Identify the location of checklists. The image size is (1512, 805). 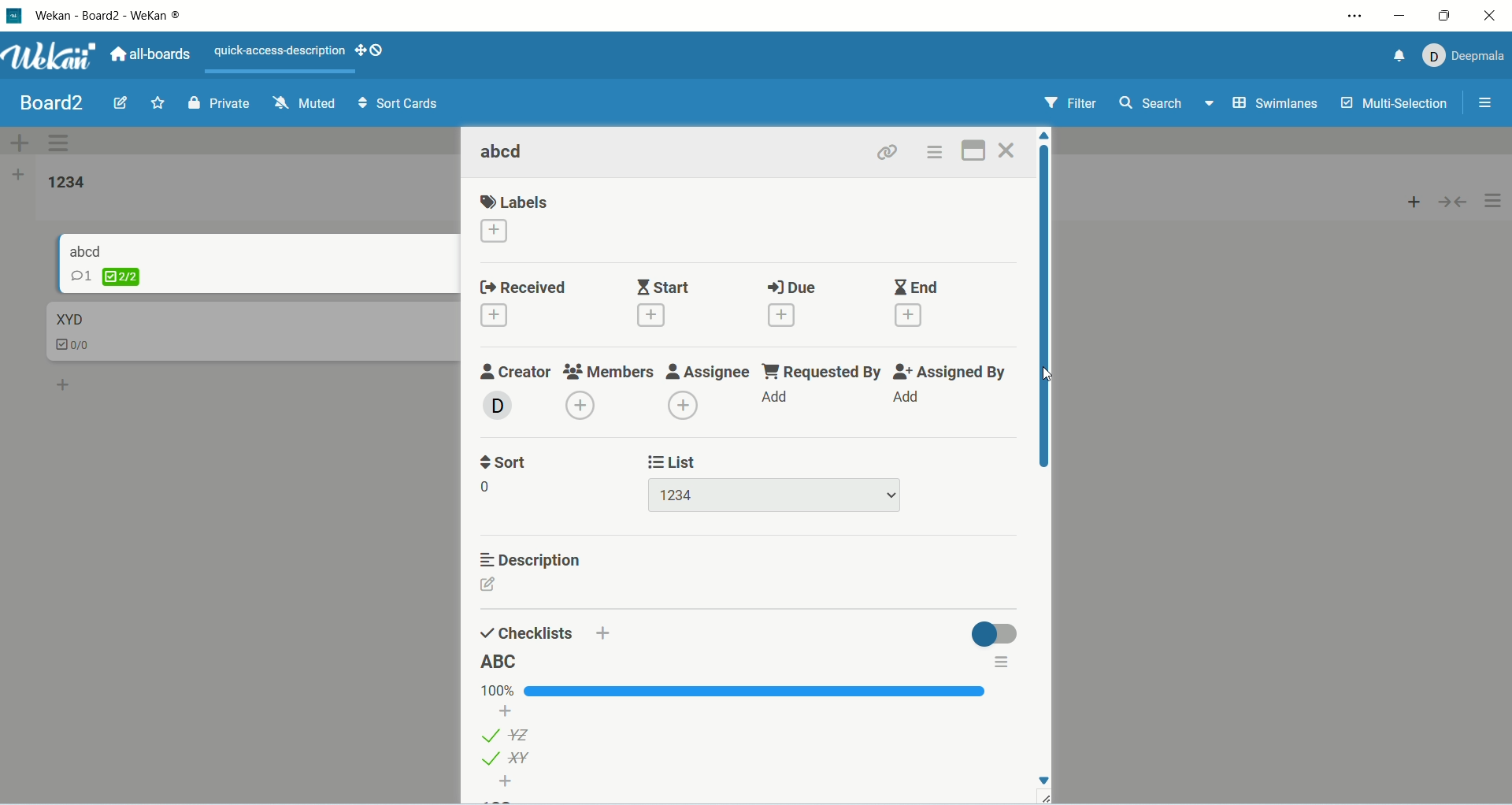
(528, 634).